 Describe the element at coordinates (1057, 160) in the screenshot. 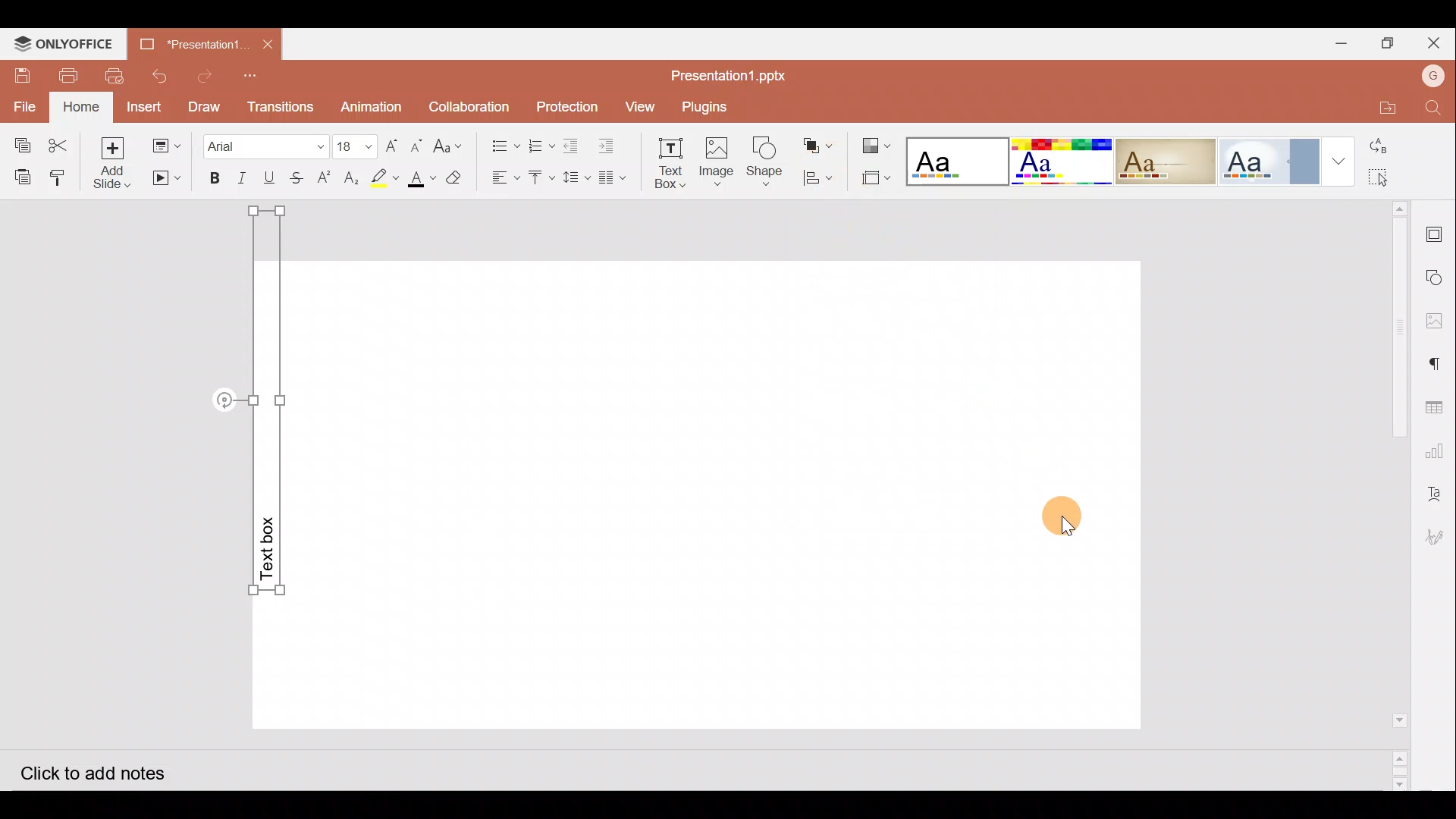

I see `Basic` at that location.